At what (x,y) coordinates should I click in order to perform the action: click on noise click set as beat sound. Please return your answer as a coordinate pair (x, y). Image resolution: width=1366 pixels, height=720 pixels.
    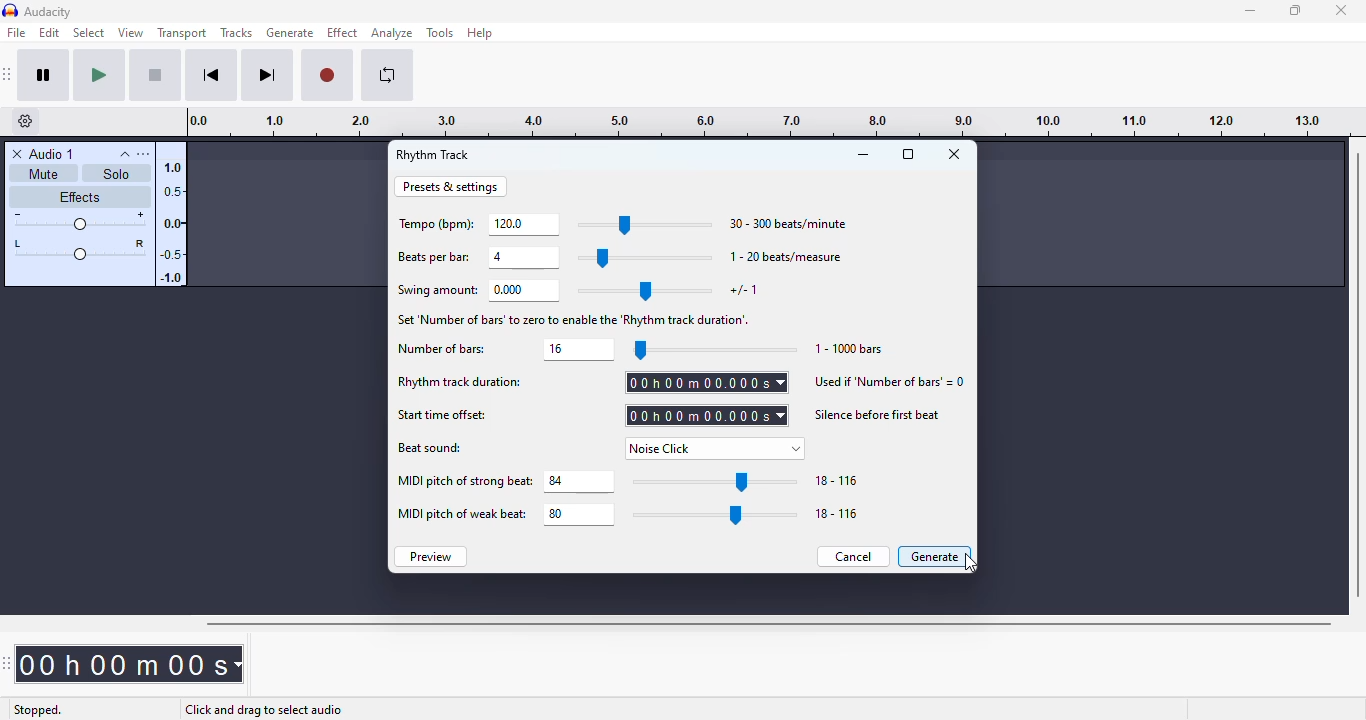
    Looking at the image, I should click on (714, 448).